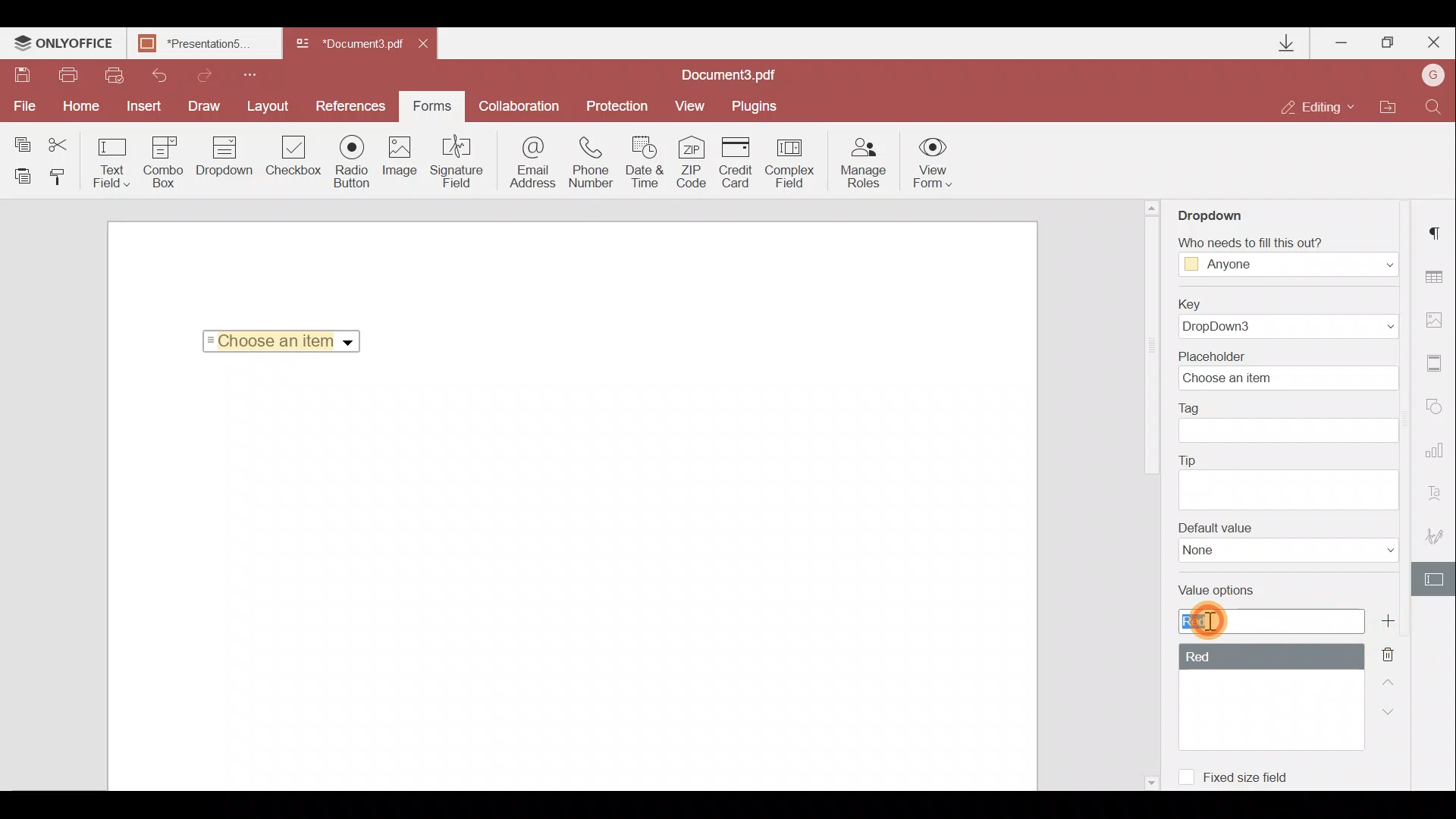 The height and width of the screenshot is (819, 1456). Describe the element at coordinates (208, 106) in the screenshot. I see `Draw` at that location.